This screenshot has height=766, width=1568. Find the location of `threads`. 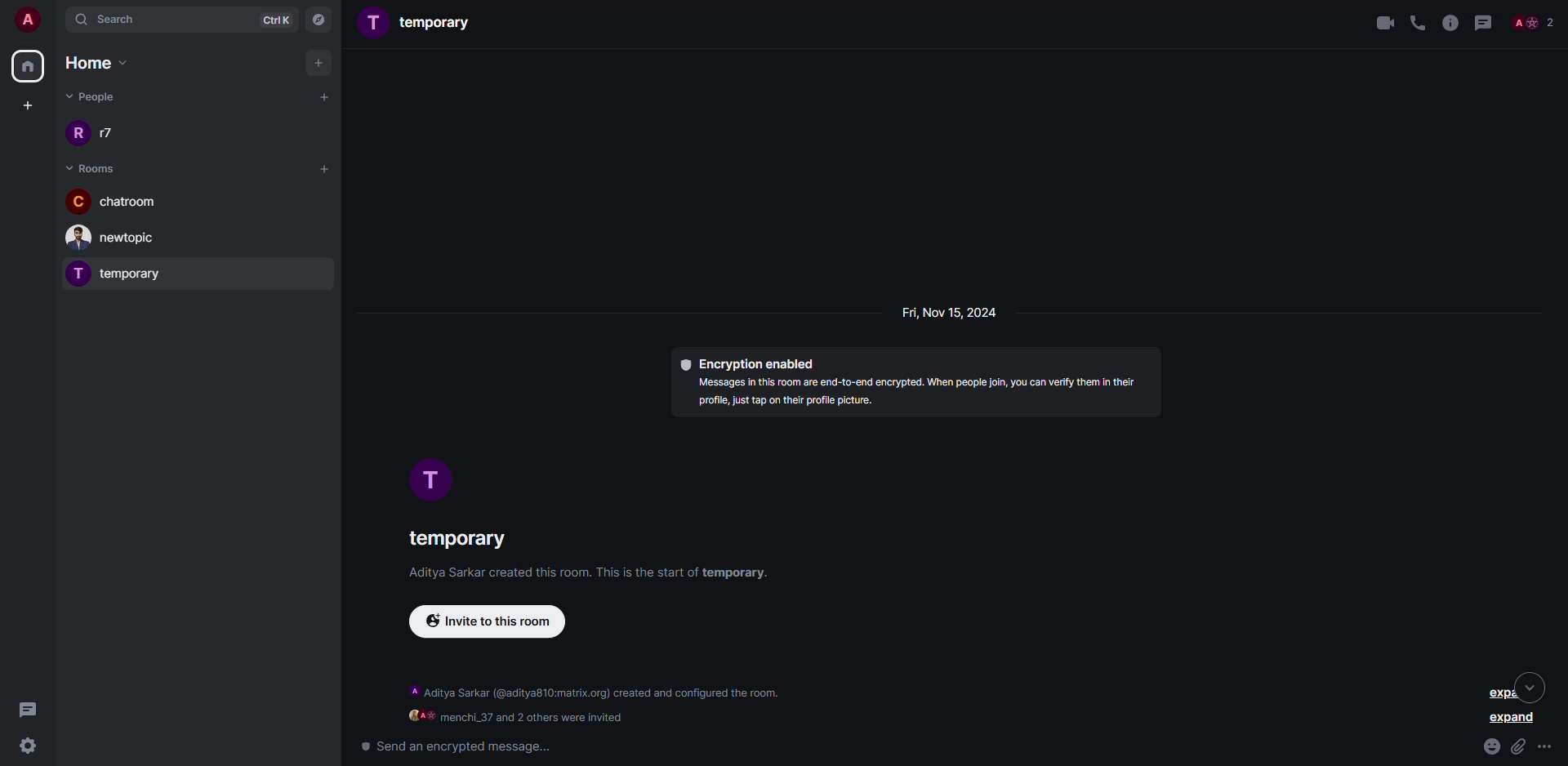

threads is located at coordinates (31, 708).